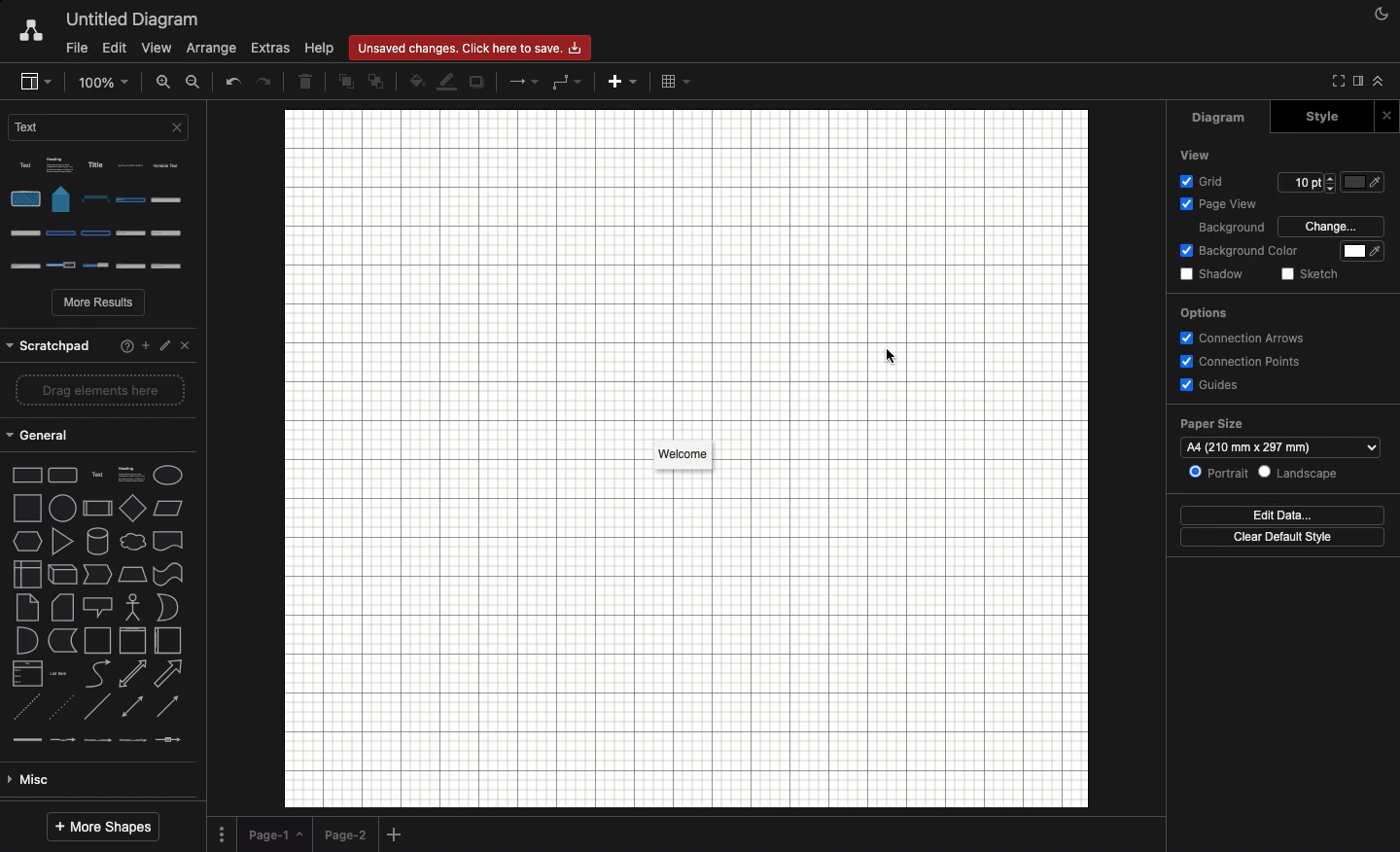 Image resolution: width=1400 pixels, height=852 pixels. I want to click on Edit, so click(113, 47).